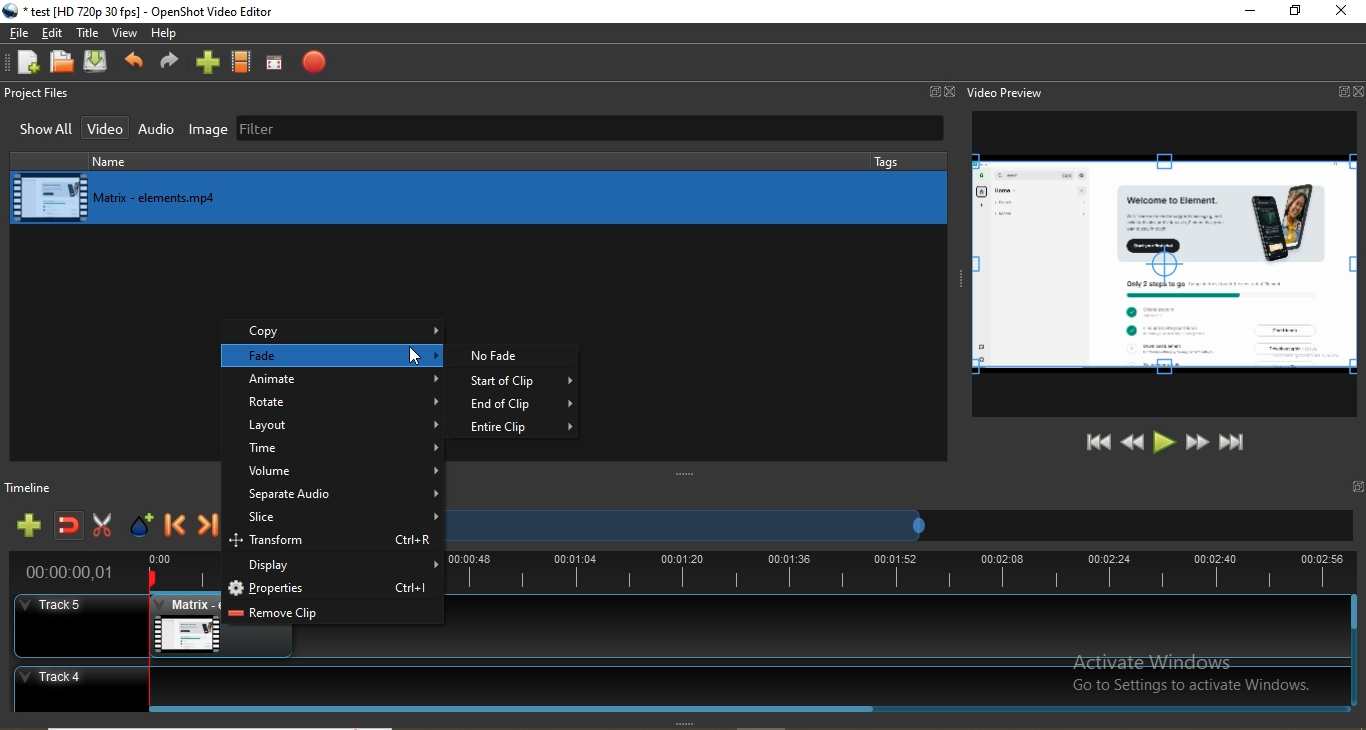 The image size is (1366, 730). What do you see at coordinates (955, 276) in the screenshot?
I see `adjust window` at bounding box center [955, 276].